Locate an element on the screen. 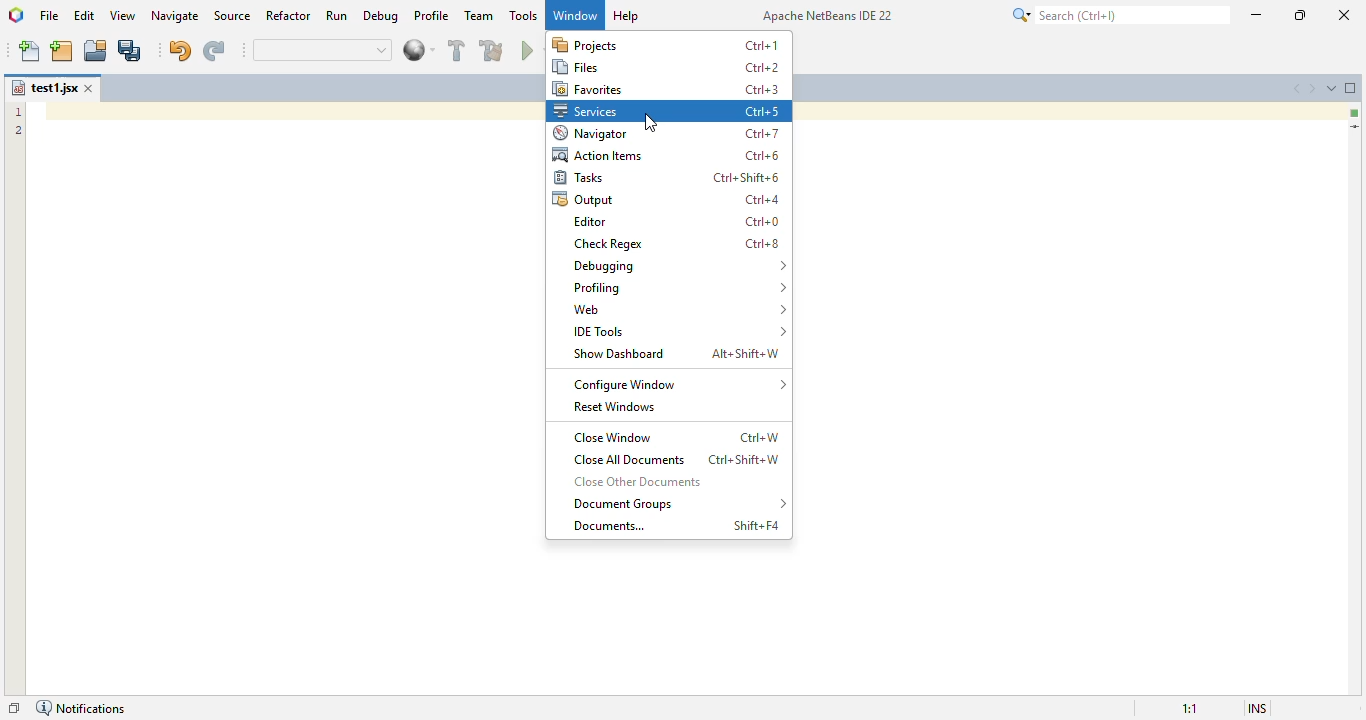 The width and height of the screenshot is (1366, 720). open project is located at coordinates (96, 51).